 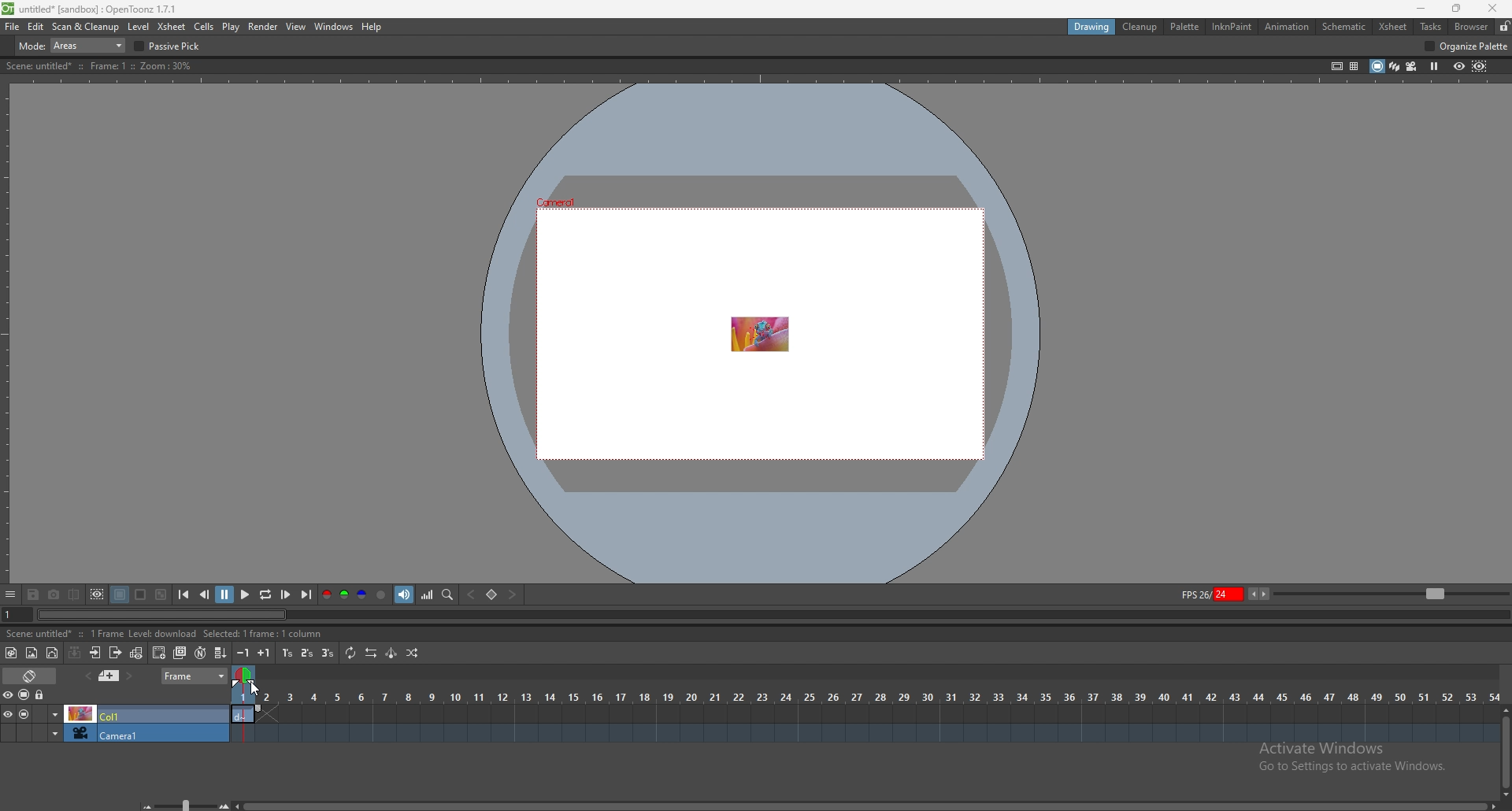 What do you see at coordinates (256, 687) in the screenshot?
I see `cursor` at bounding box center [256, 687].